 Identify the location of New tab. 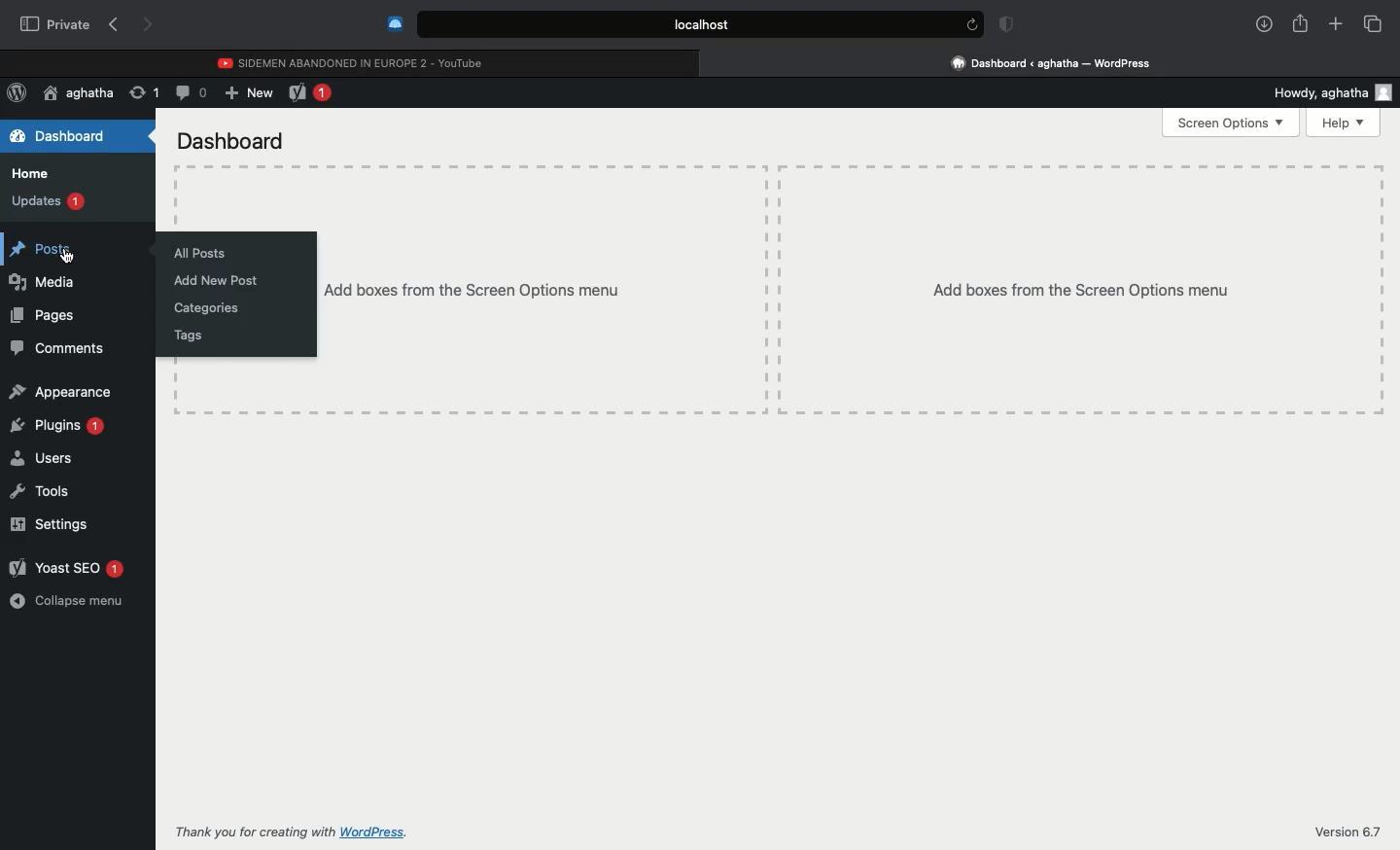
(1336, 24).